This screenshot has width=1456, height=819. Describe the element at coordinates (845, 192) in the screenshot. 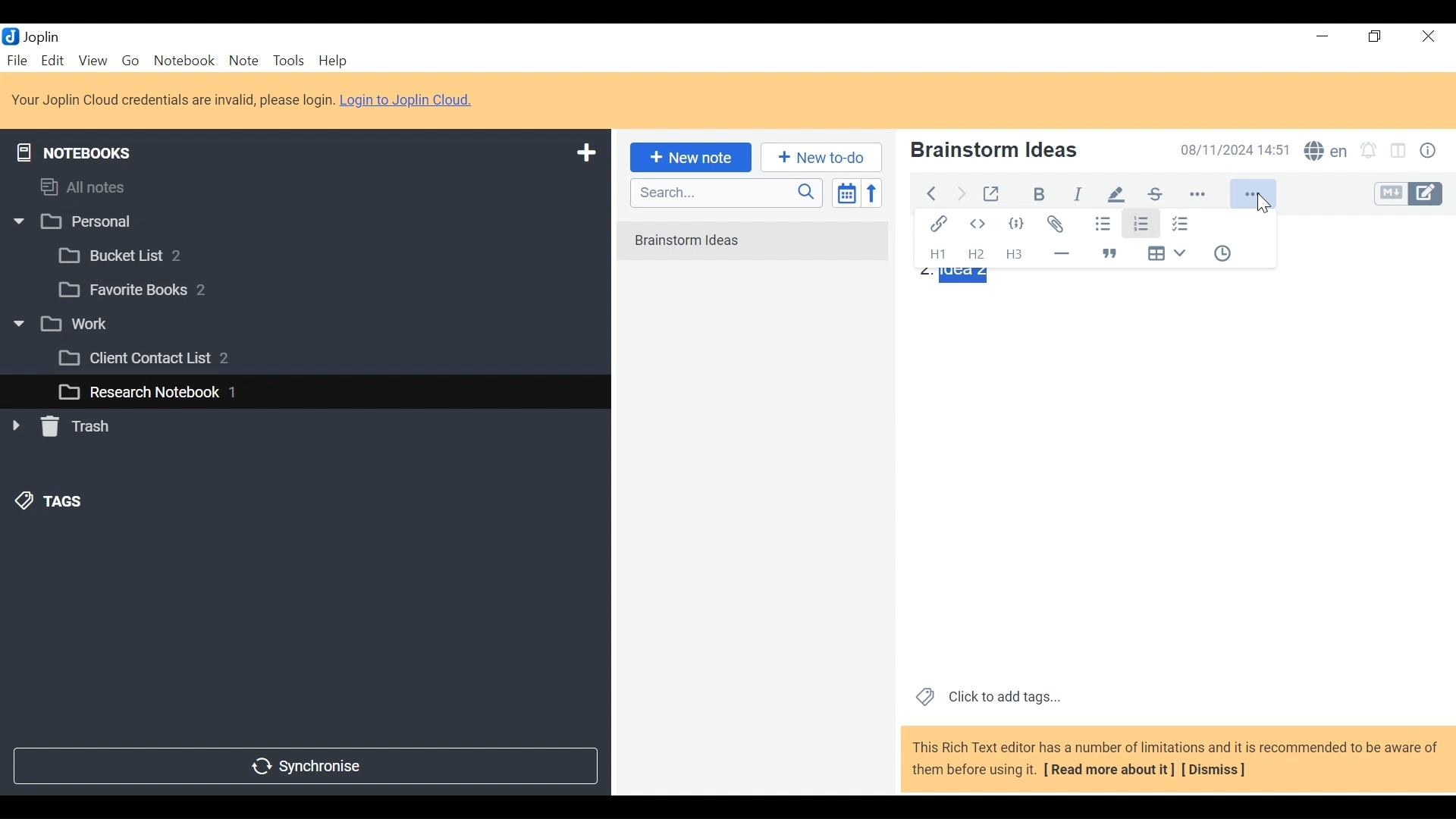

I see `Toggle sort order field` at that location.